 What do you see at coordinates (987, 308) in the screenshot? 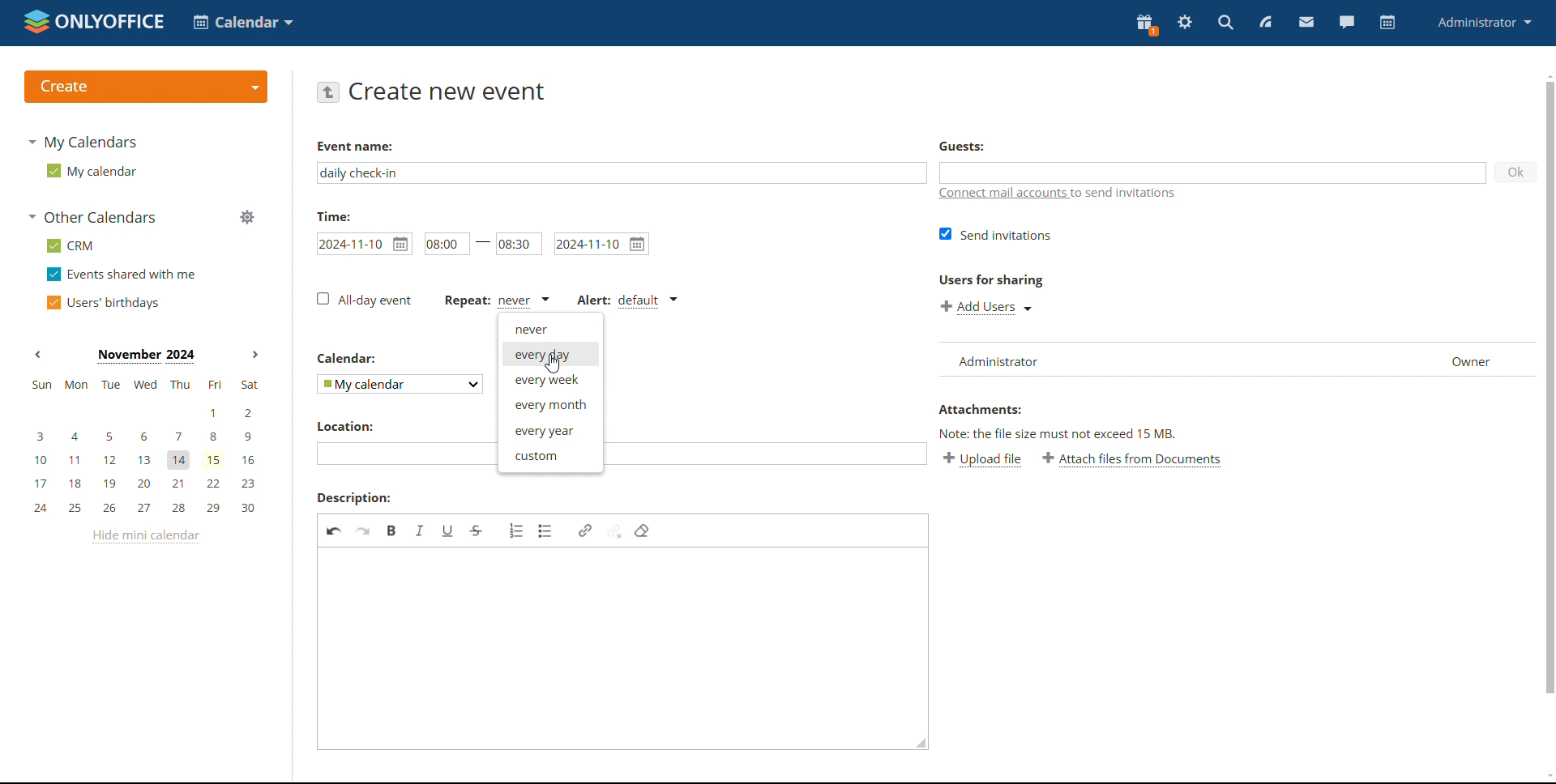
I see `add users` at bounding box center [987, 308].